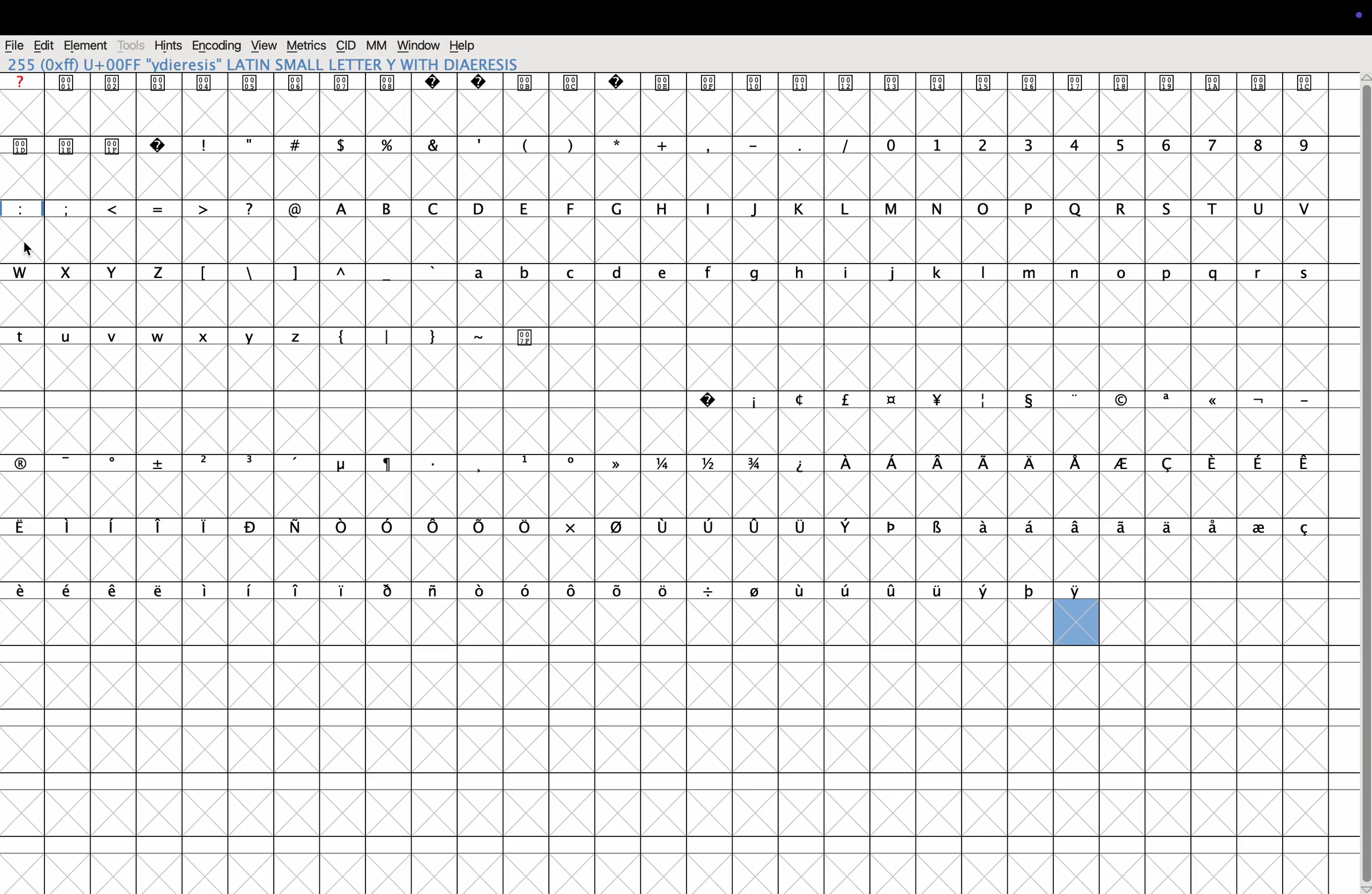 The width and height of the screenshot is (1372, 894). Describe the element at coordinates (435, 232) in the screenshot. I see `C` at that location.